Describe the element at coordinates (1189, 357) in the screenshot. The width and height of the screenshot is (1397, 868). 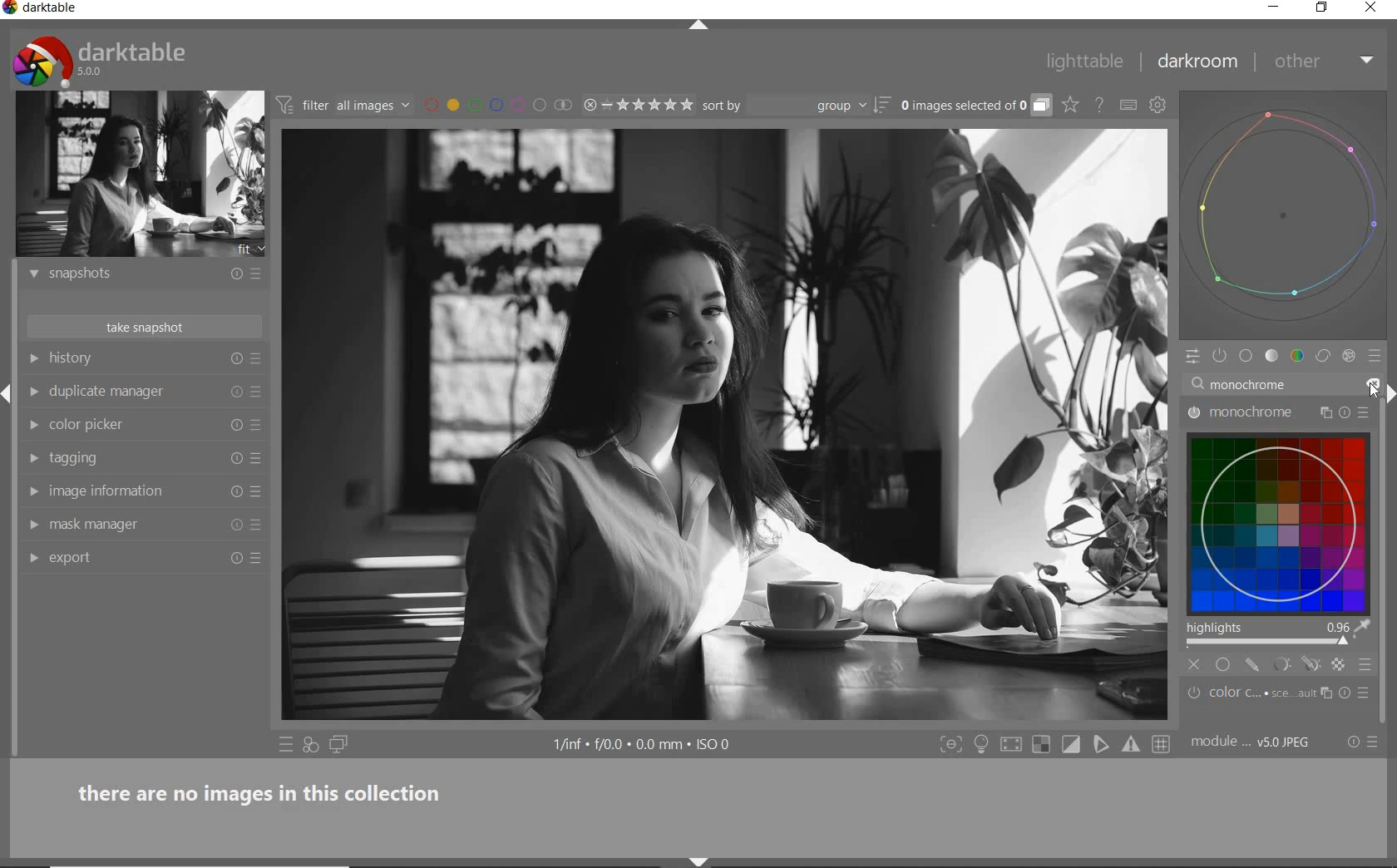
I see `quick access panel` at that location.